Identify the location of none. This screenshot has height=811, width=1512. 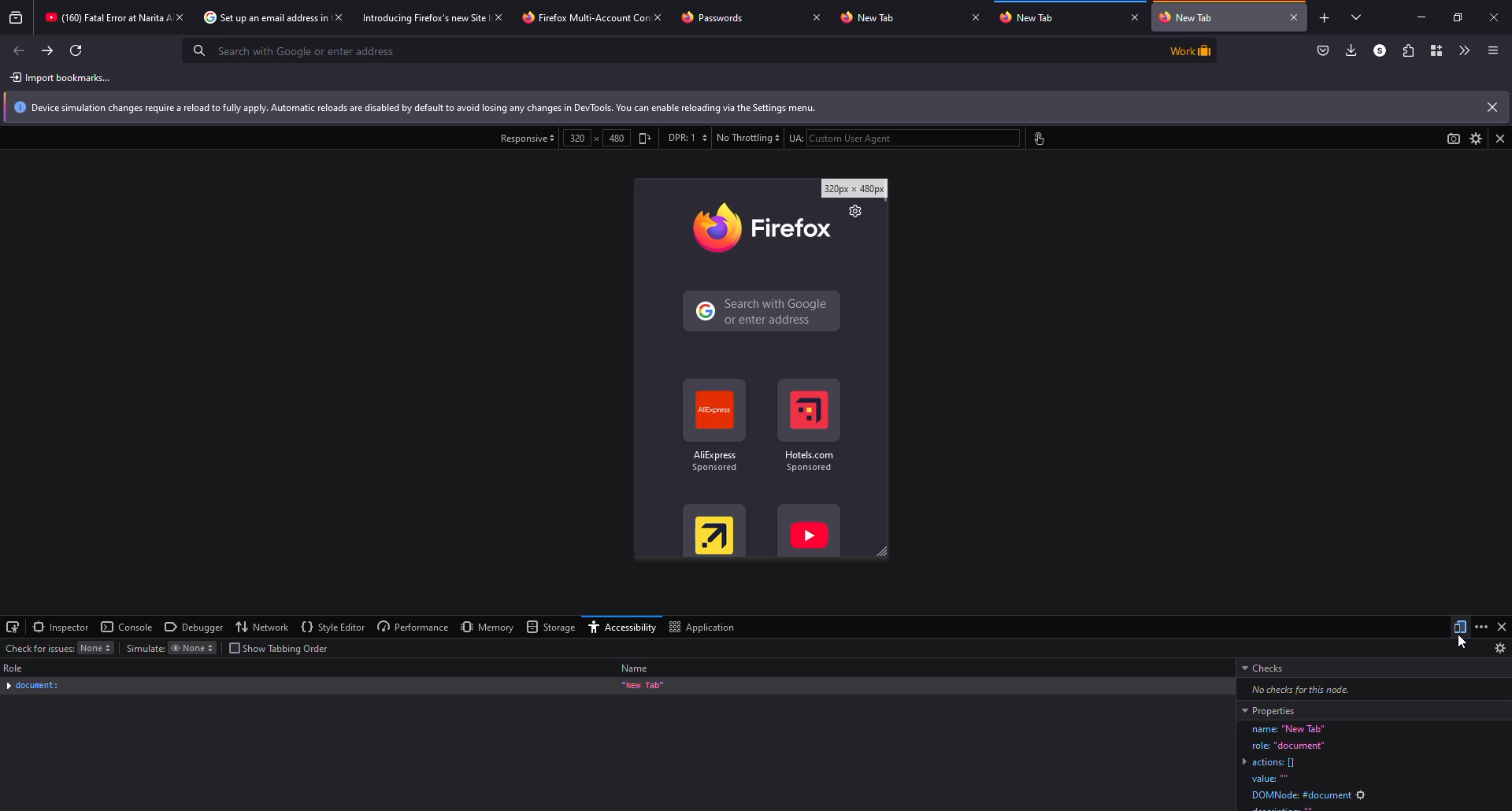
(96, 647).